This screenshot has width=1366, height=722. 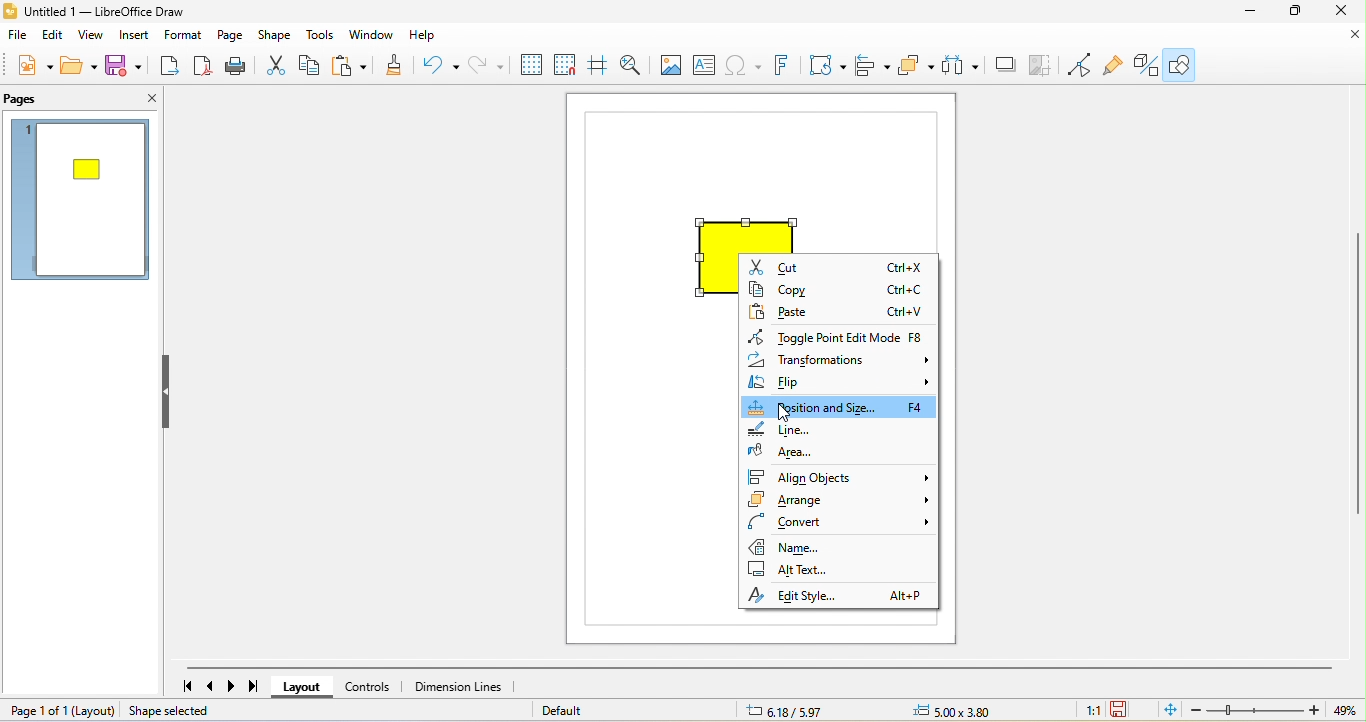 I want to click on edit style, so click(x=837, y=594).